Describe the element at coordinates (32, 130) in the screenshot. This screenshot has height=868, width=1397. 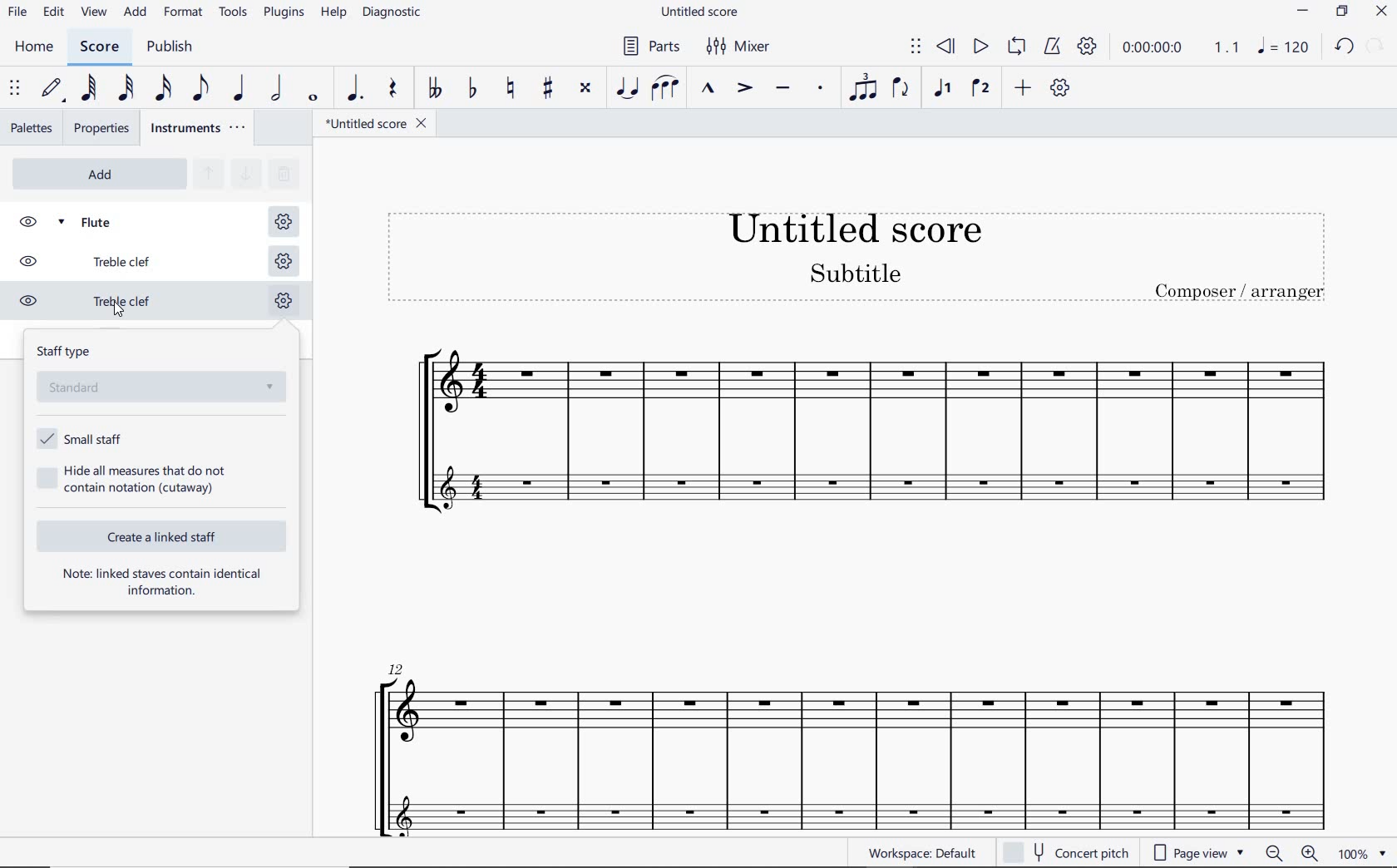
I see `palettes` at that location.